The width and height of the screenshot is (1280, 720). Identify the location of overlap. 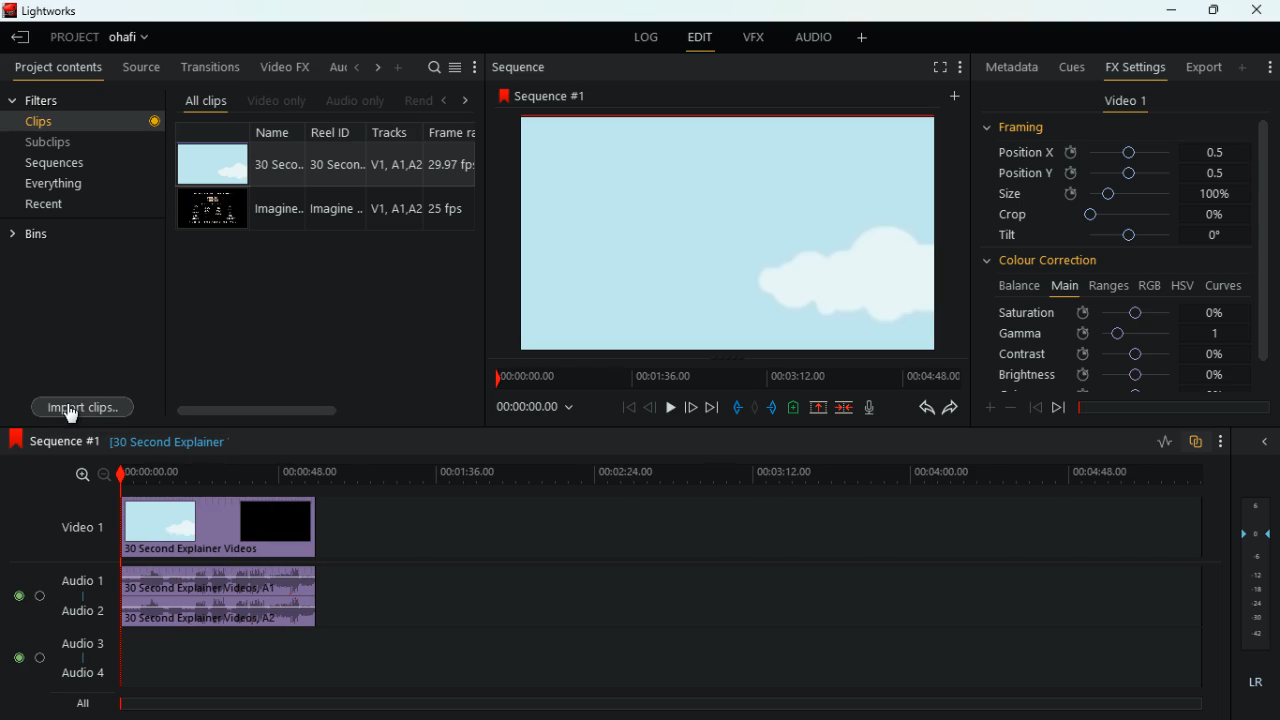
(1196, 443).